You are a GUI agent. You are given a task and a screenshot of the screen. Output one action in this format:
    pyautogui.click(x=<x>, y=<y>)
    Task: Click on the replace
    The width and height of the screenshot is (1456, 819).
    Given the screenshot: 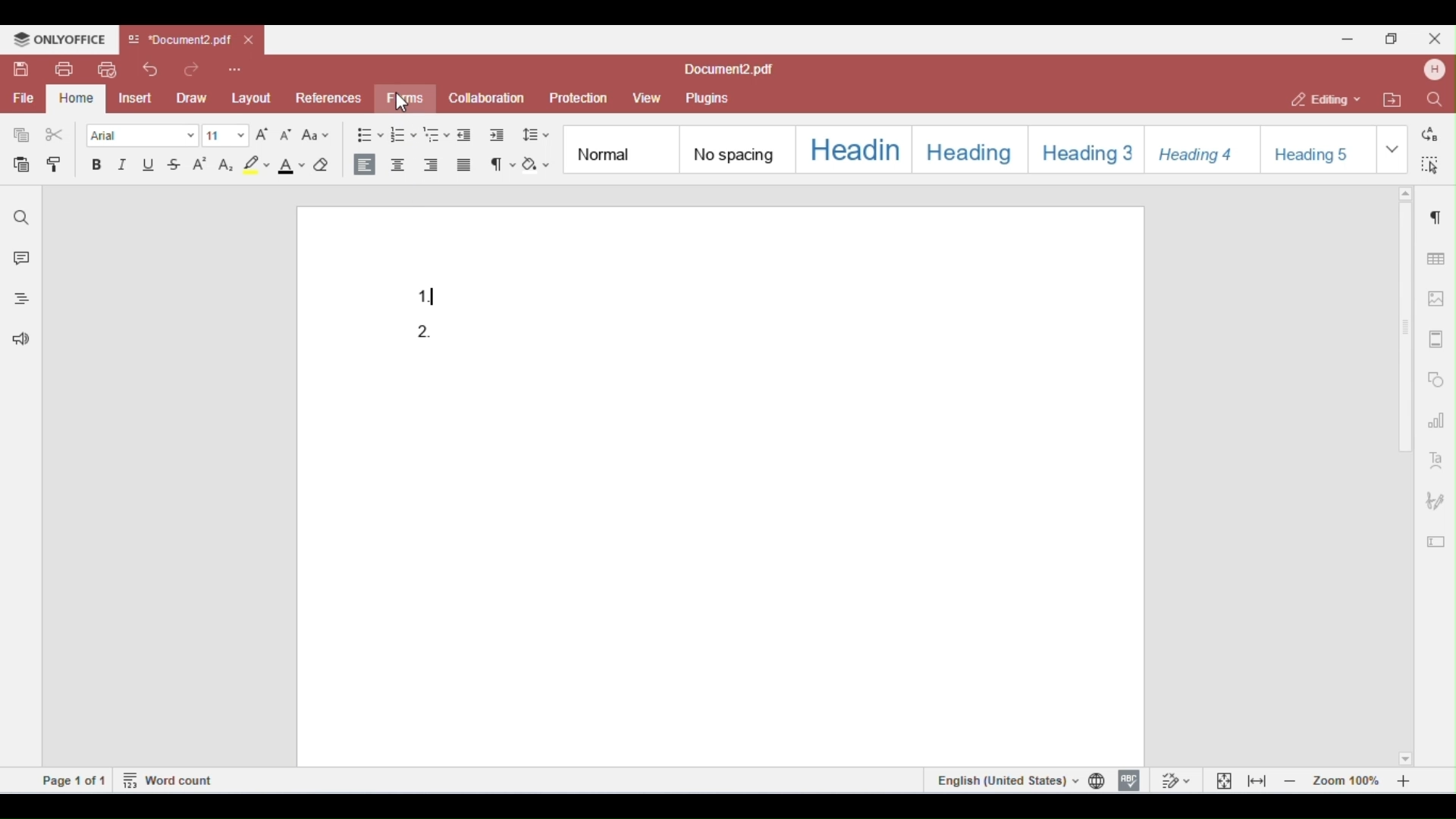 What is the action you would take?
    pyautogui.click(x=1429, y=134)
    